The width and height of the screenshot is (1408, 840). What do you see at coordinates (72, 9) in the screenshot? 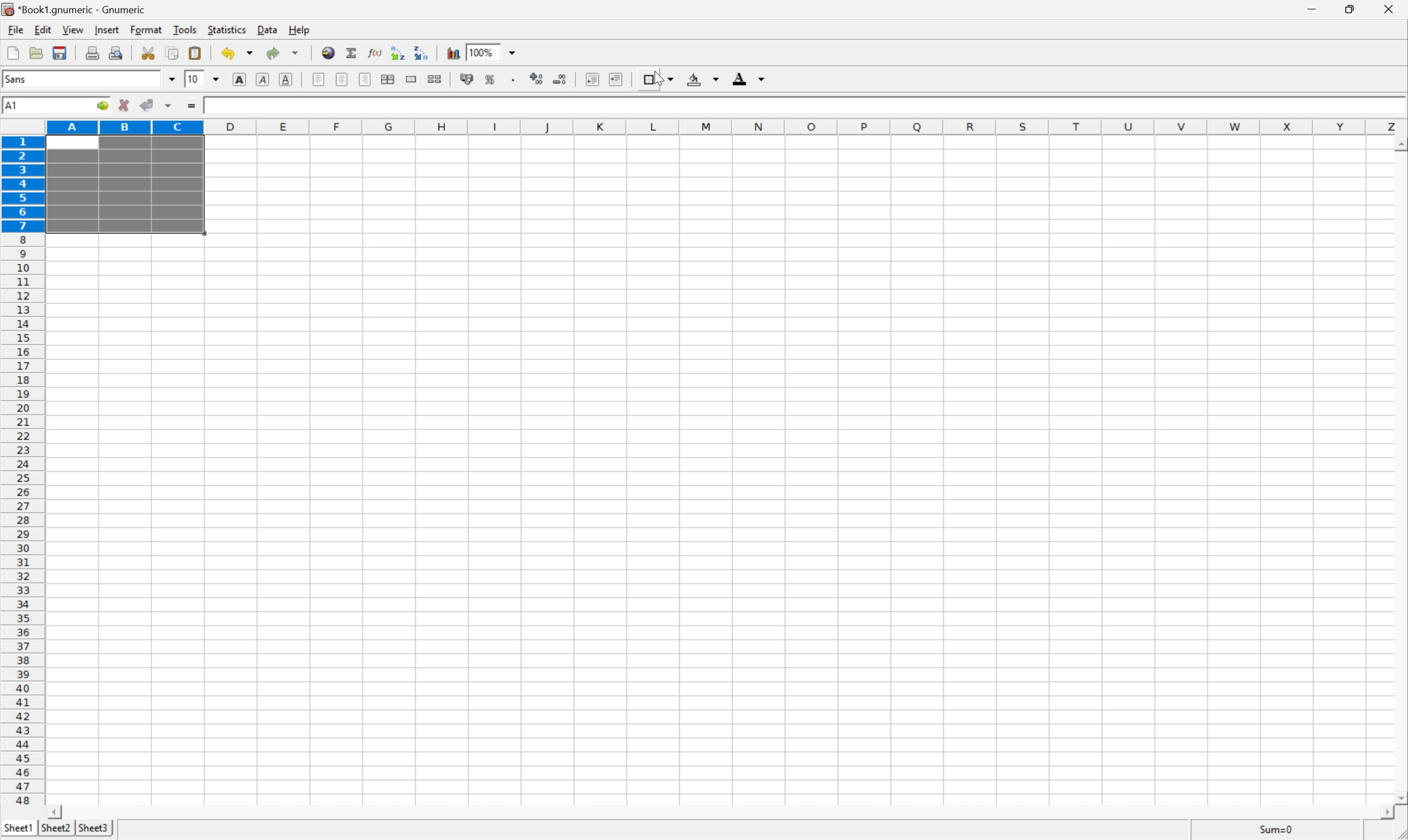
I see `book1.gnumeric - Gnumeric` at bounding box center [72, 9].